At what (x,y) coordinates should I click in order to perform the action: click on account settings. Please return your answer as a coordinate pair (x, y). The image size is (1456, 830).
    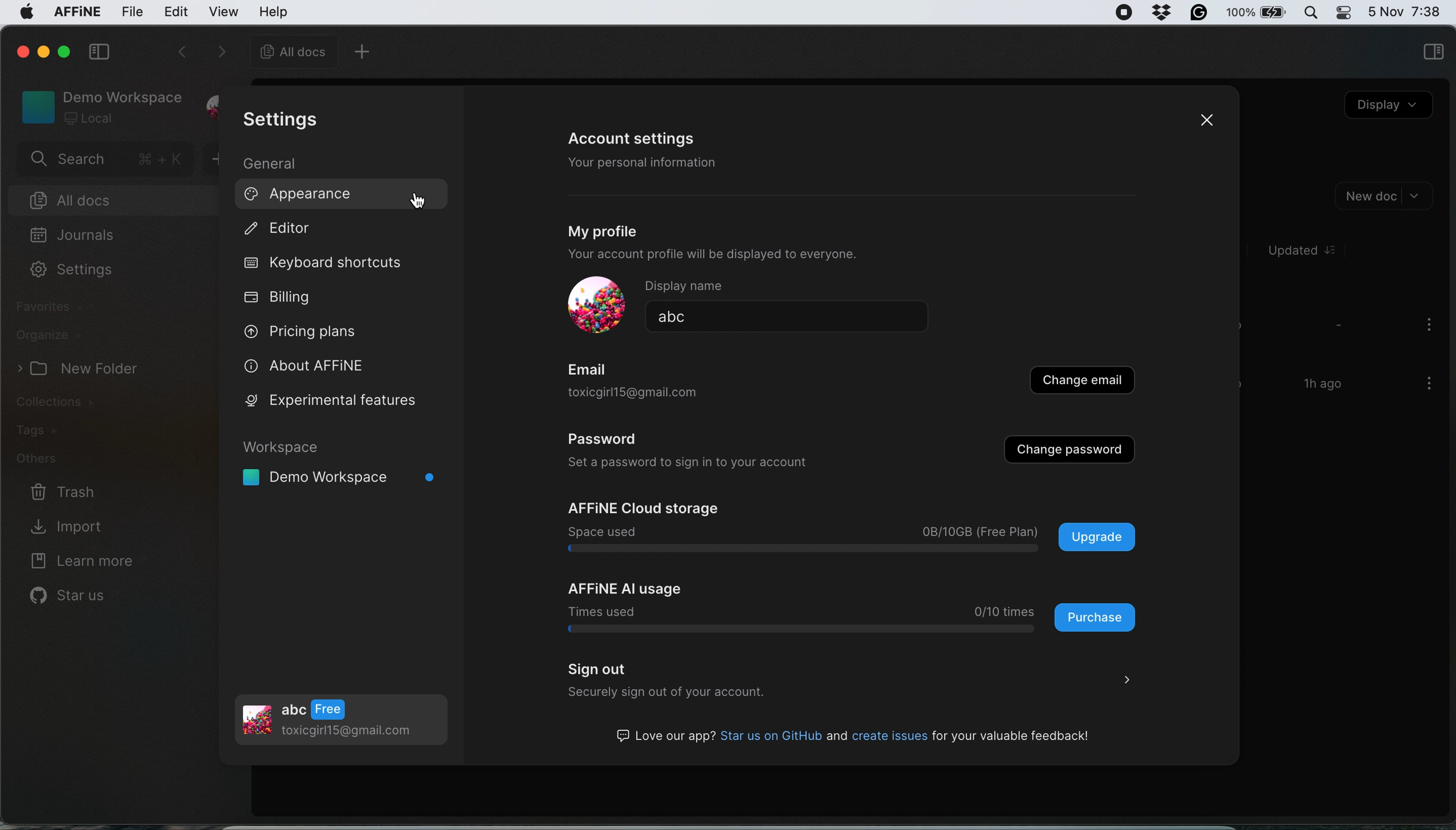
    Looking at the image, I should click on (645, 139).